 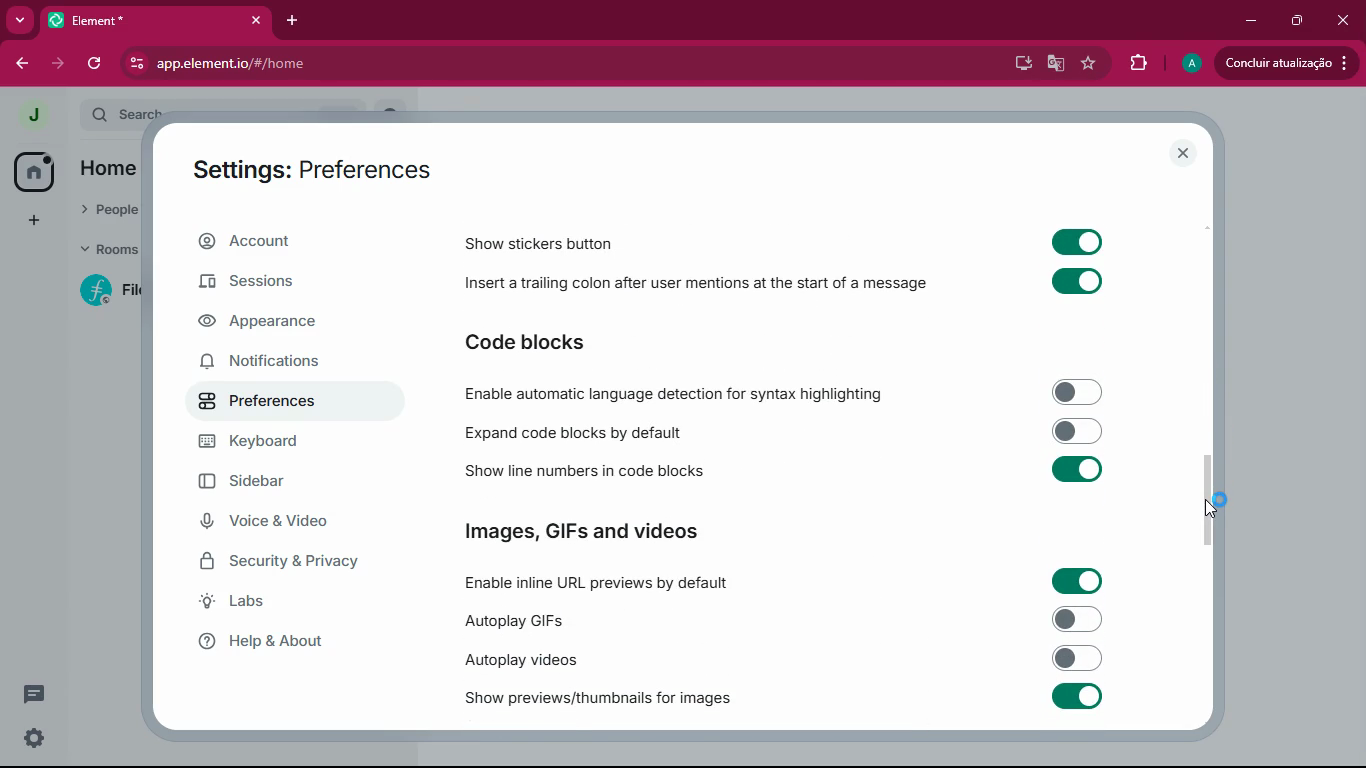 I want to click on Toggle on, so click(x=1074, y=579).